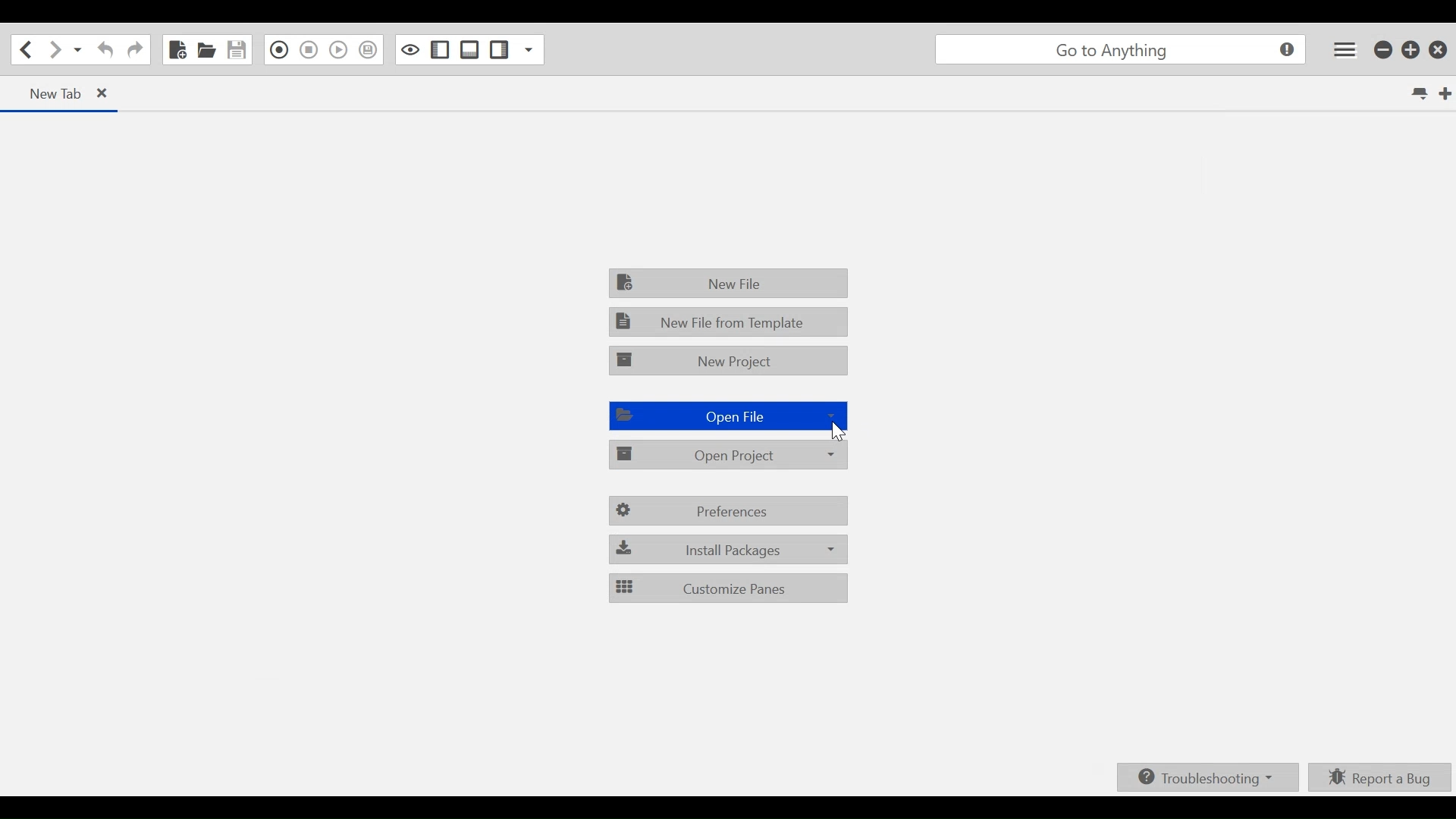  I want to click on New File, so click(730, 281).